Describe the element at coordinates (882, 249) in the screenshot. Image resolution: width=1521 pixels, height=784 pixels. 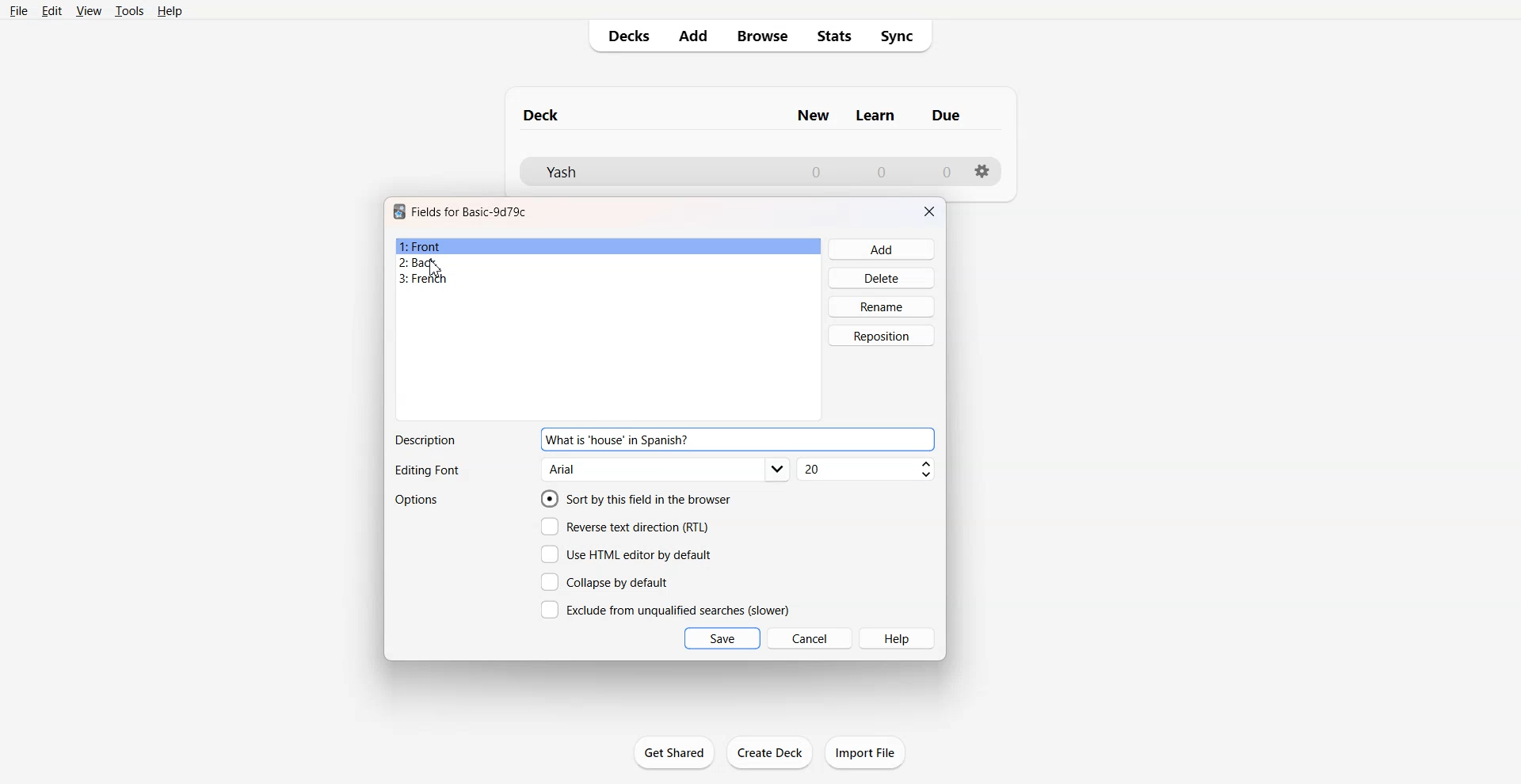
I see `Add` at that location.